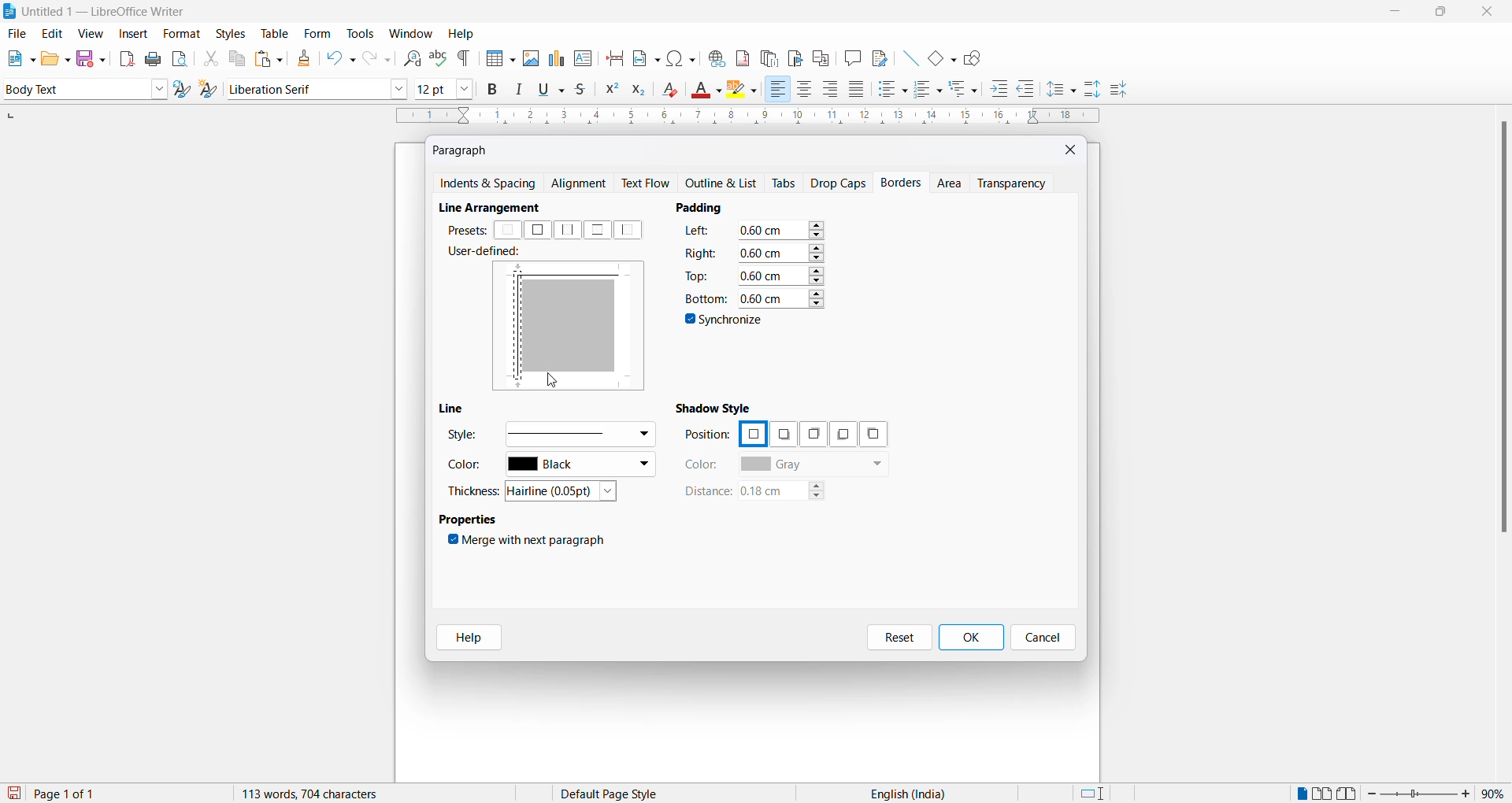 This screenshot has height=803, width=1512. I want to click on right and left, so click(569, 230).